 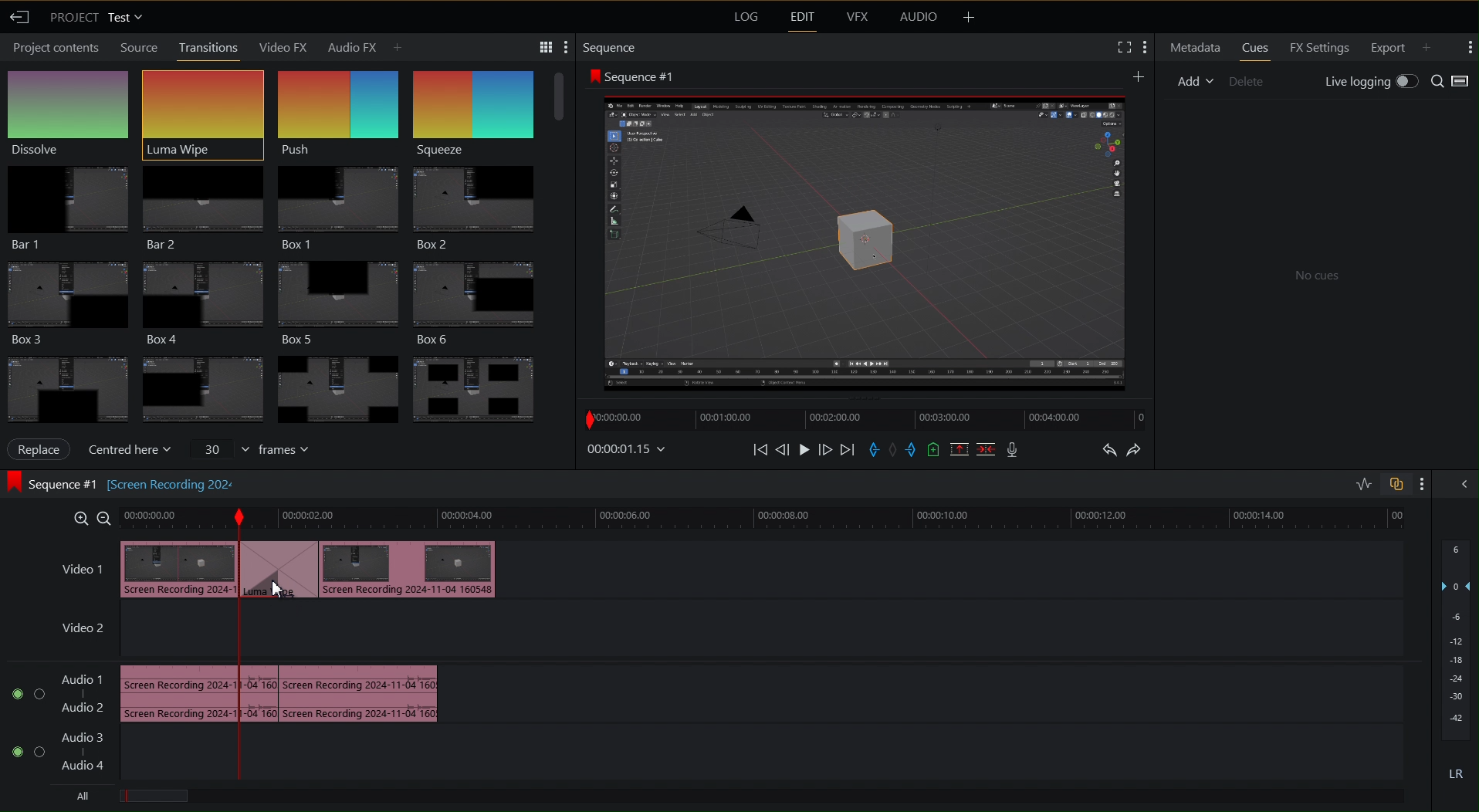 I want to click on Audio FX, so click(x=364, y=46).